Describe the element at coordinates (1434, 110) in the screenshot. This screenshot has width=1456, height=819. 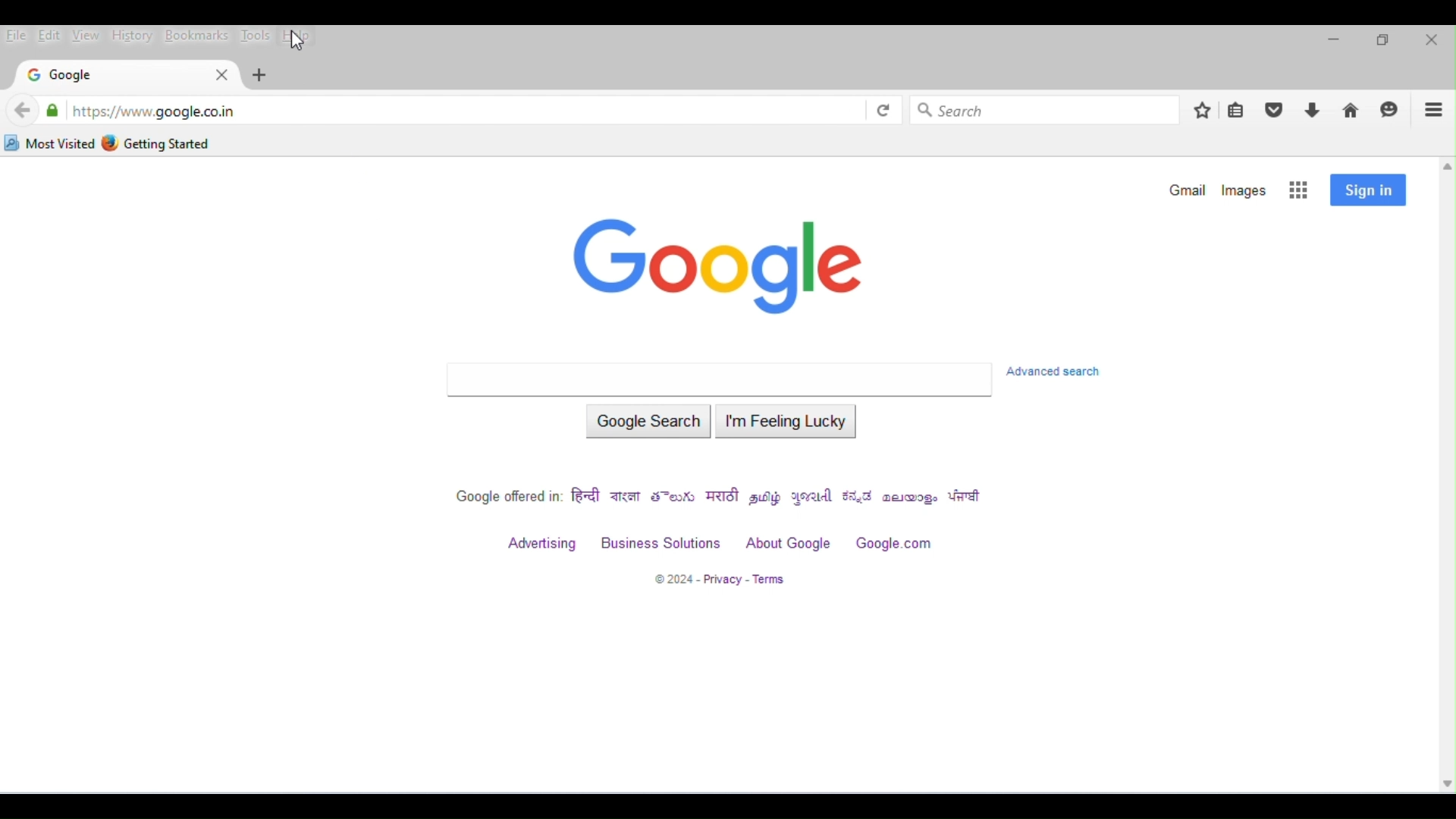
I see `open application menu` at that location.